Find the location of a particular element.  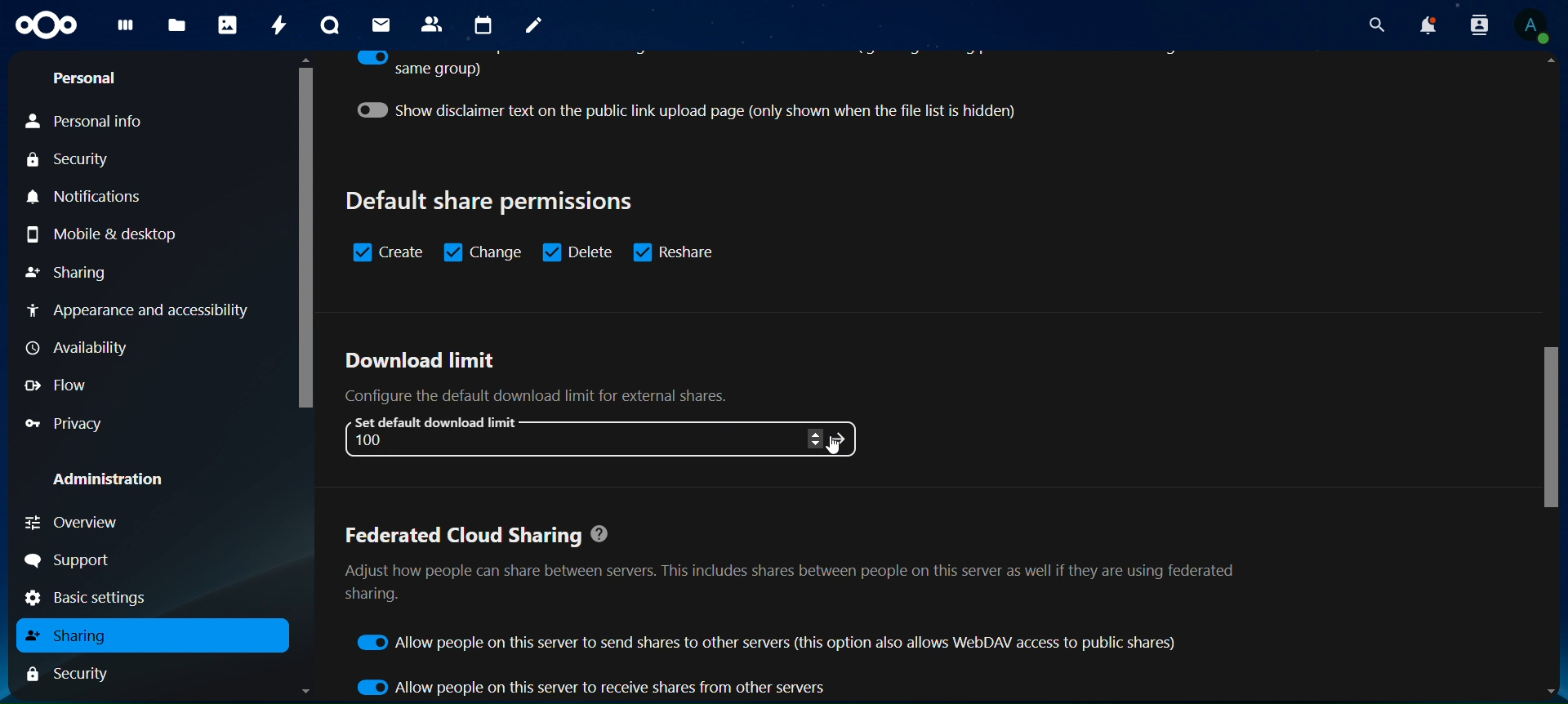

sreate  is located at coordinates (389, 252).